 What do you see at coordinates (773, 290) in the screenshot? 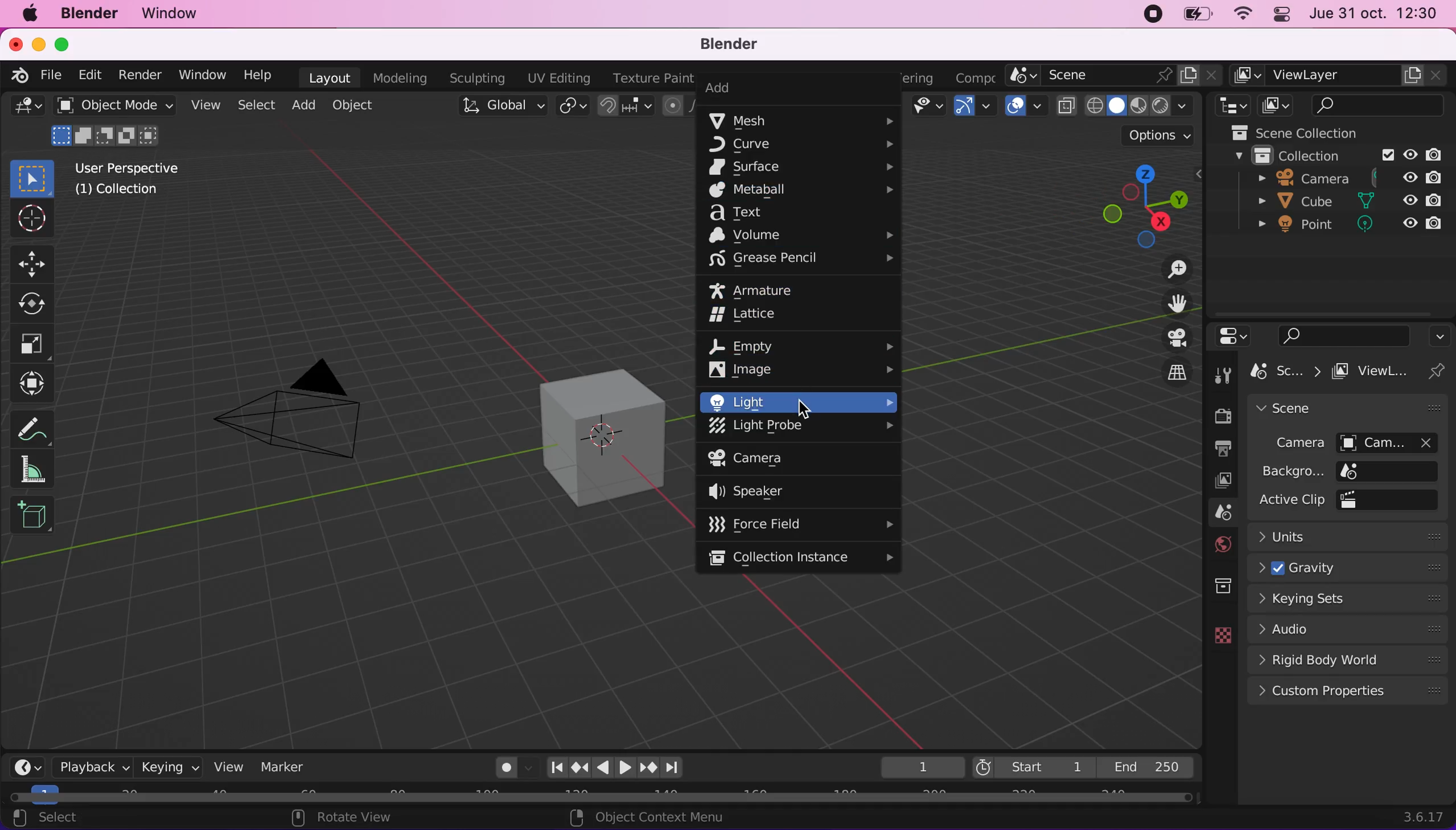
I see `armature` at bounding box center [773, 290].